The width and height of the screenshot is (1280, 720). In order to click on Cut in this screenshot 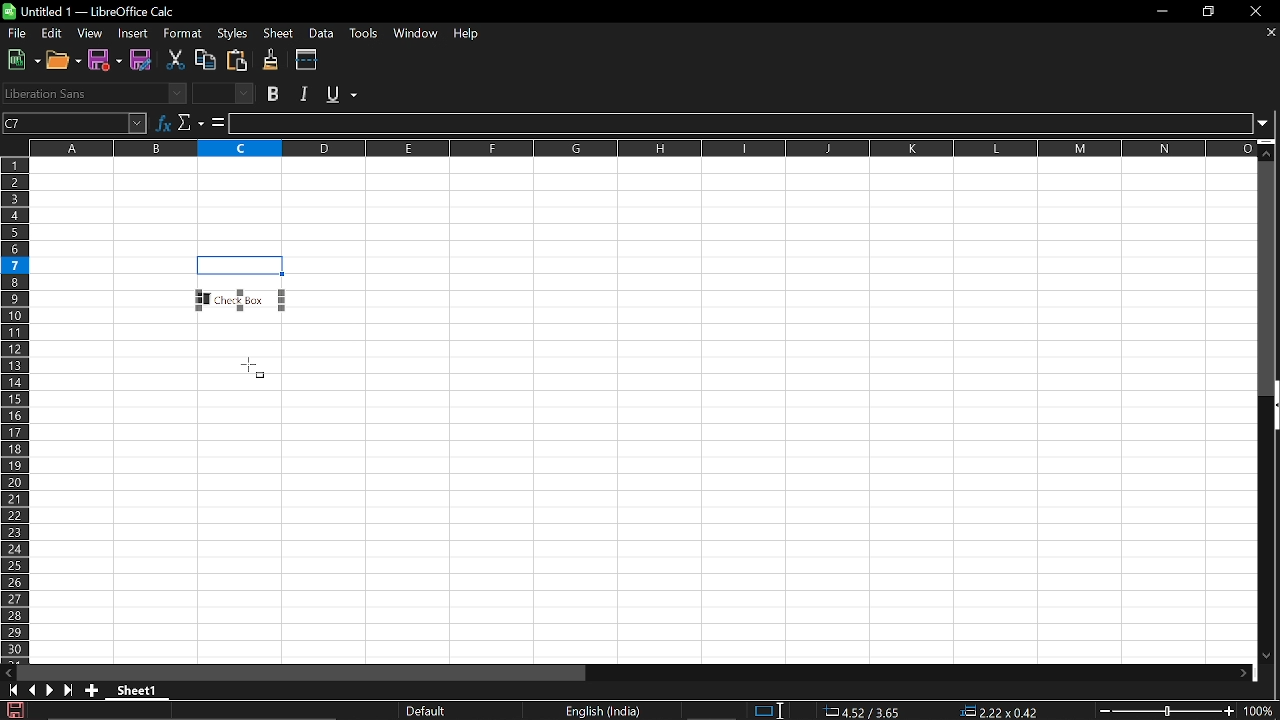, I will do `click(175, 60)`.